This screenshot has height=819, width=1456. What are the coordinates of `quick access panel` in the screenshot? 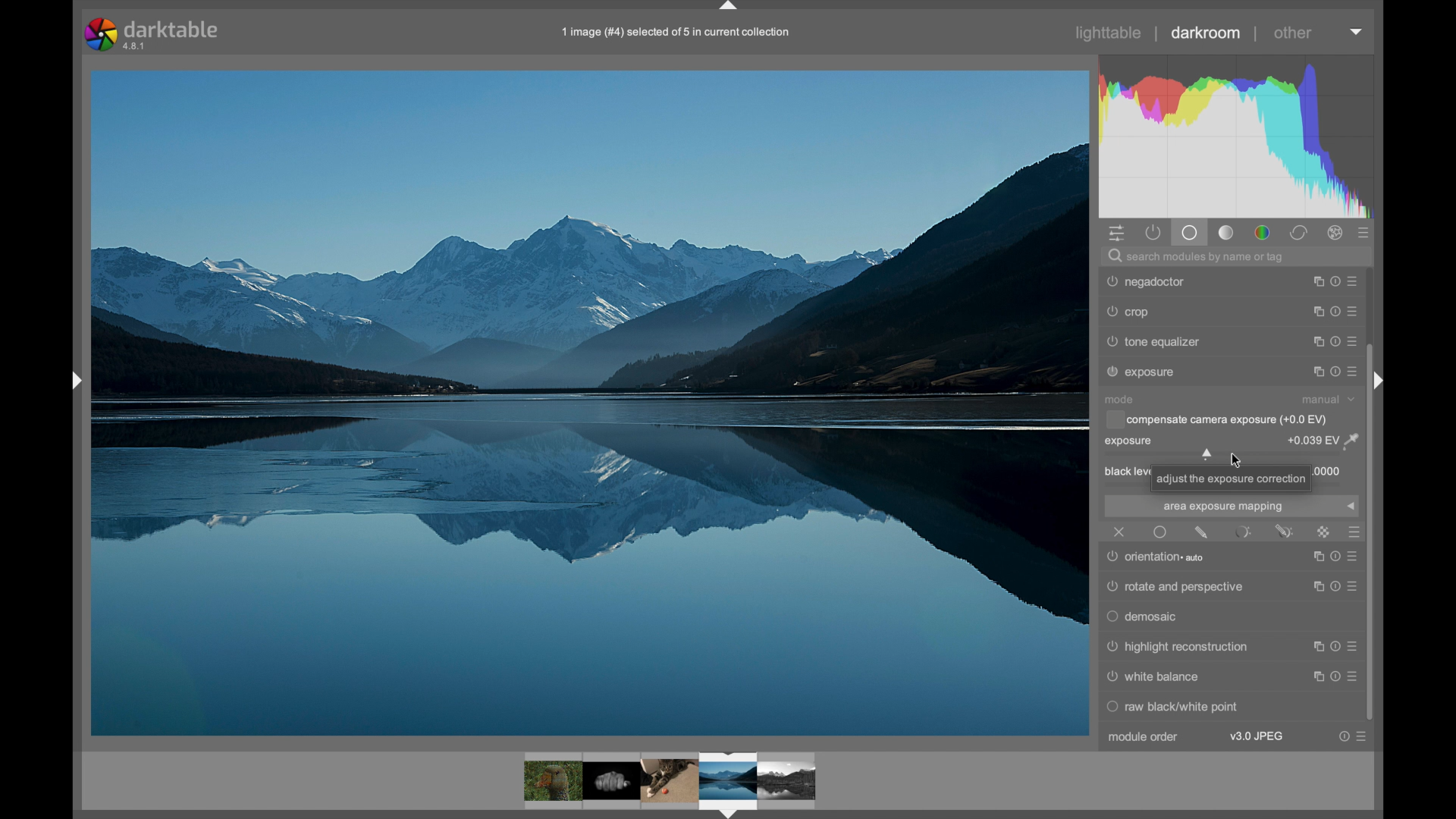 It's located at (1115, 233).